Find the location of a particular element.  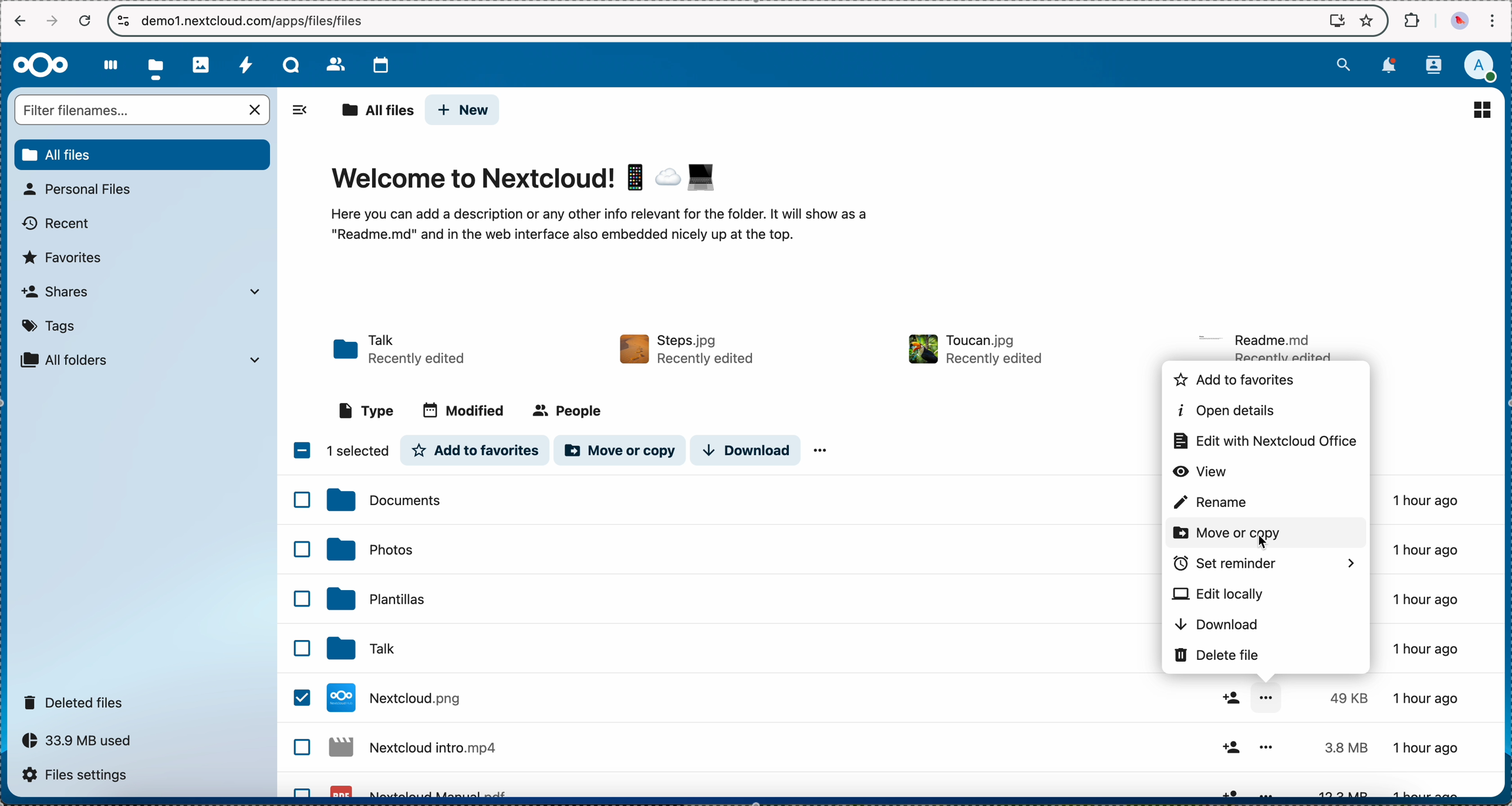

deleted files is located at coordinates (78, 701).